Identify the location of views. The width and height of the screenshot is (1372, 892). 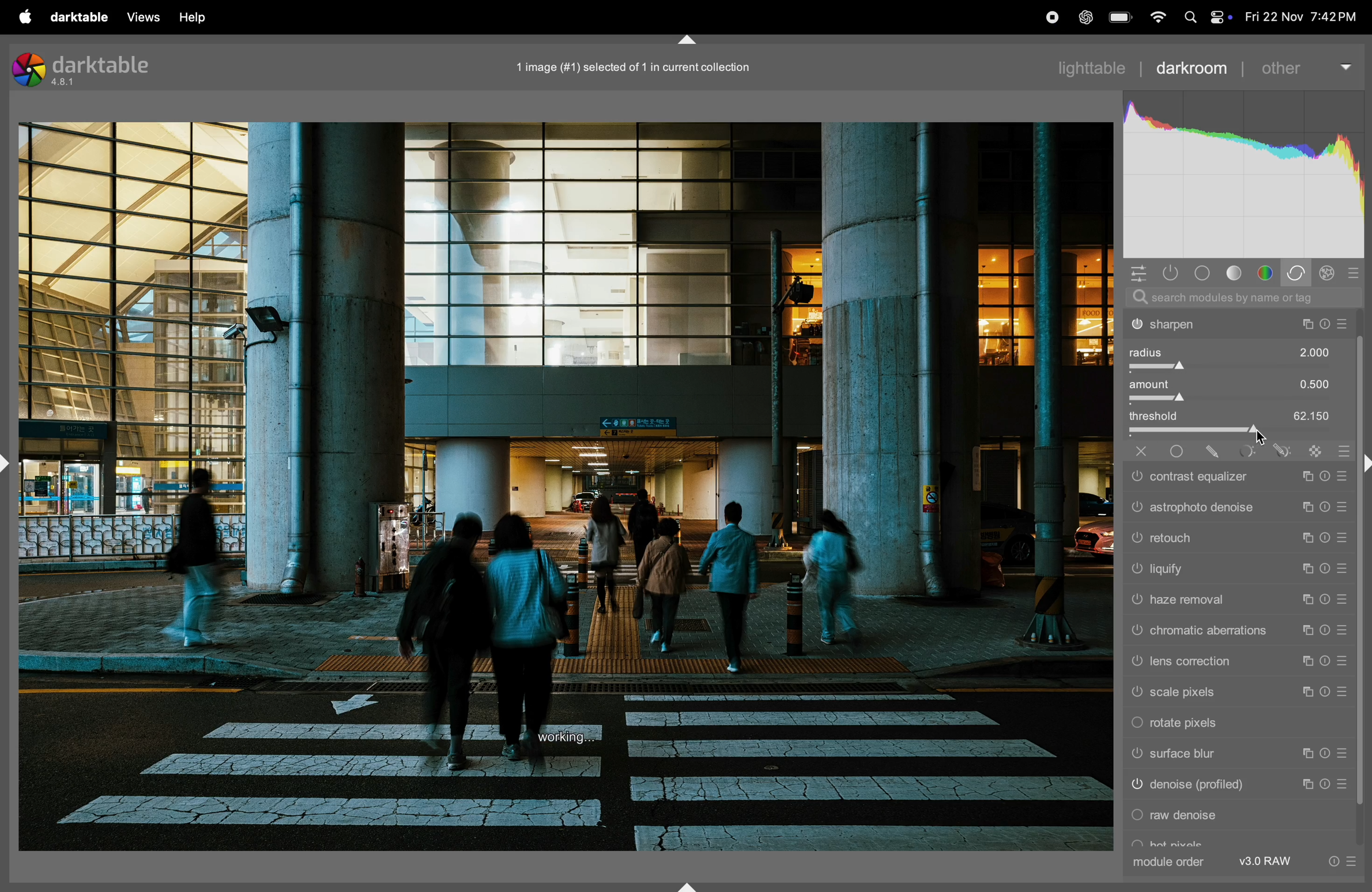
(144, 17).